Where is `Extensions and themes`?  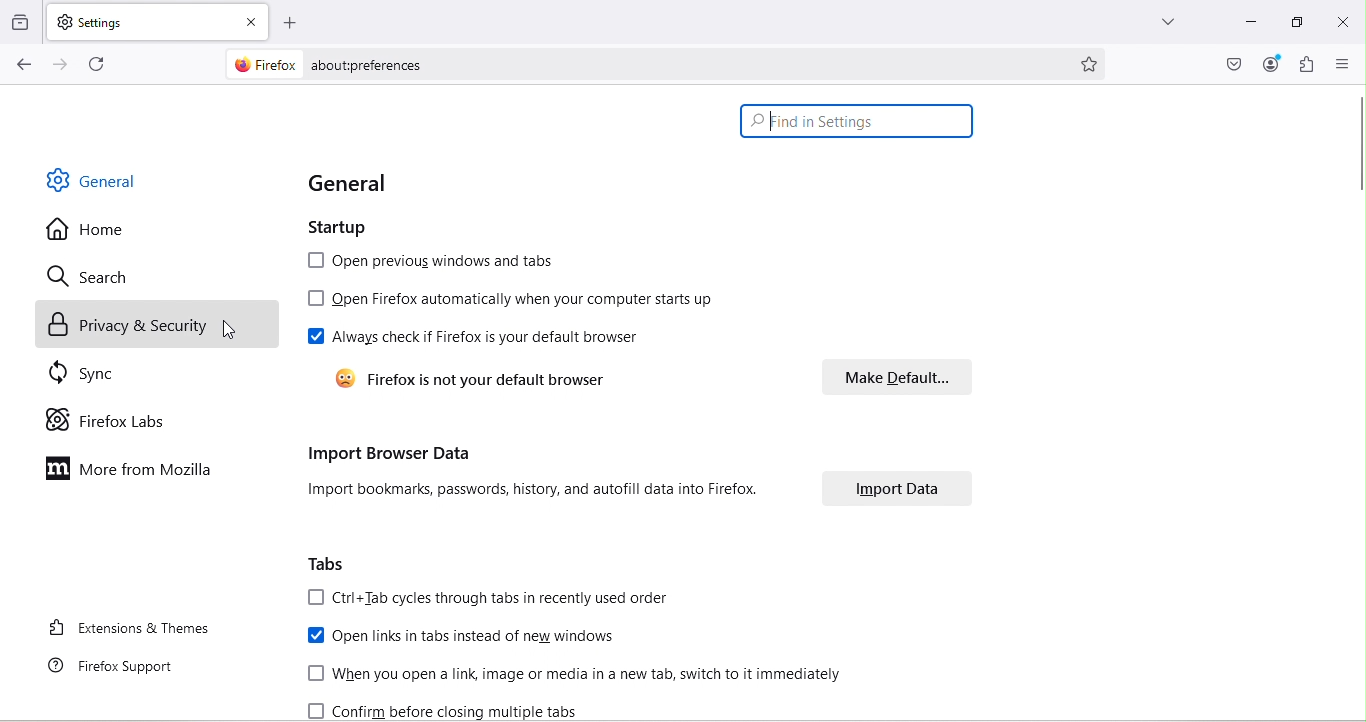 Extensions and themes is located at coordinates (130, 632).